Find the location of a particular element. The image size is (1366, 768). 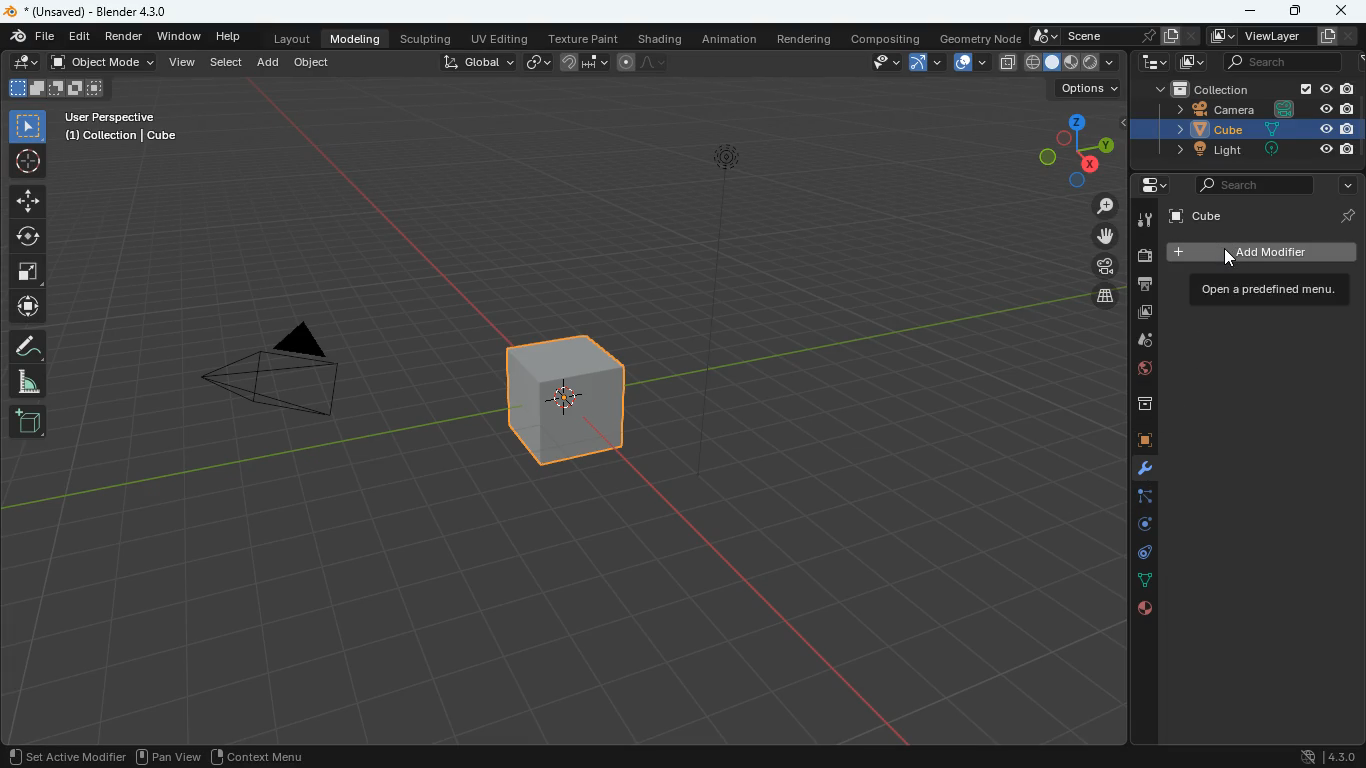

add modifier is located at coordinates (1258, 252).